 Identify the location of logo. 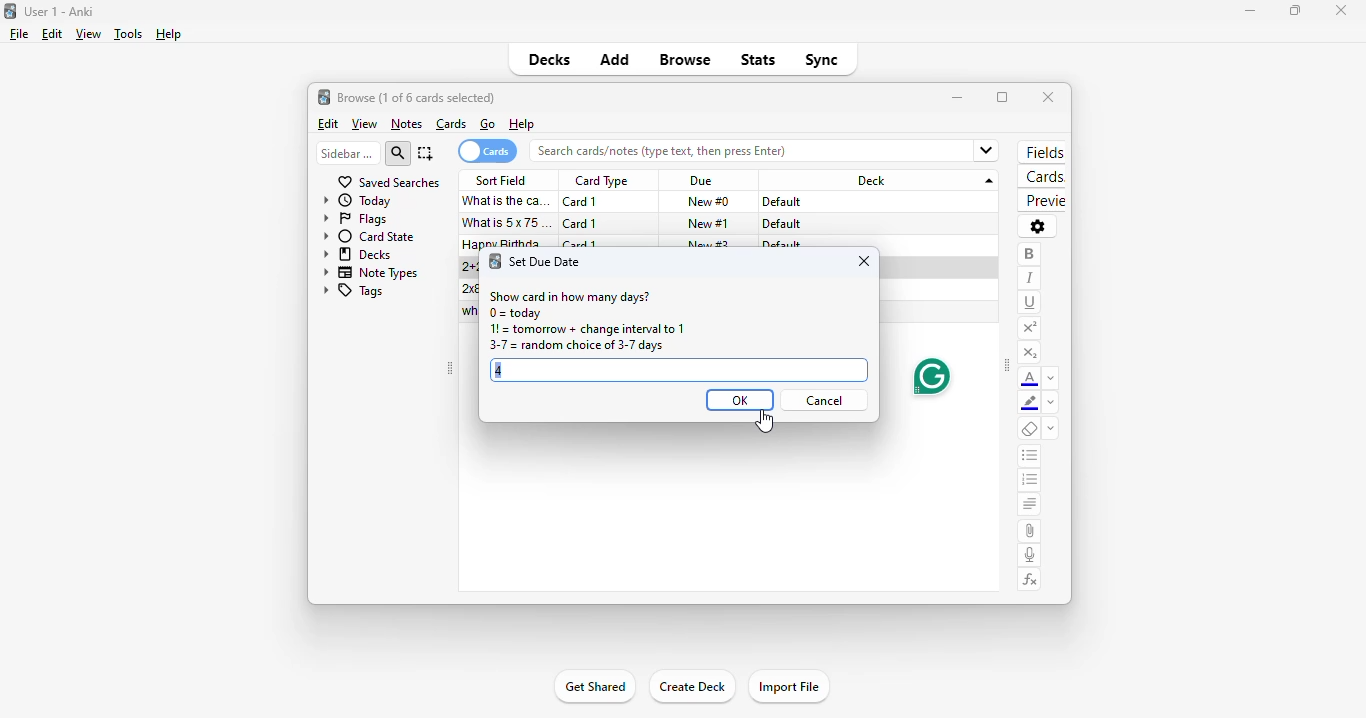
(10, 10).